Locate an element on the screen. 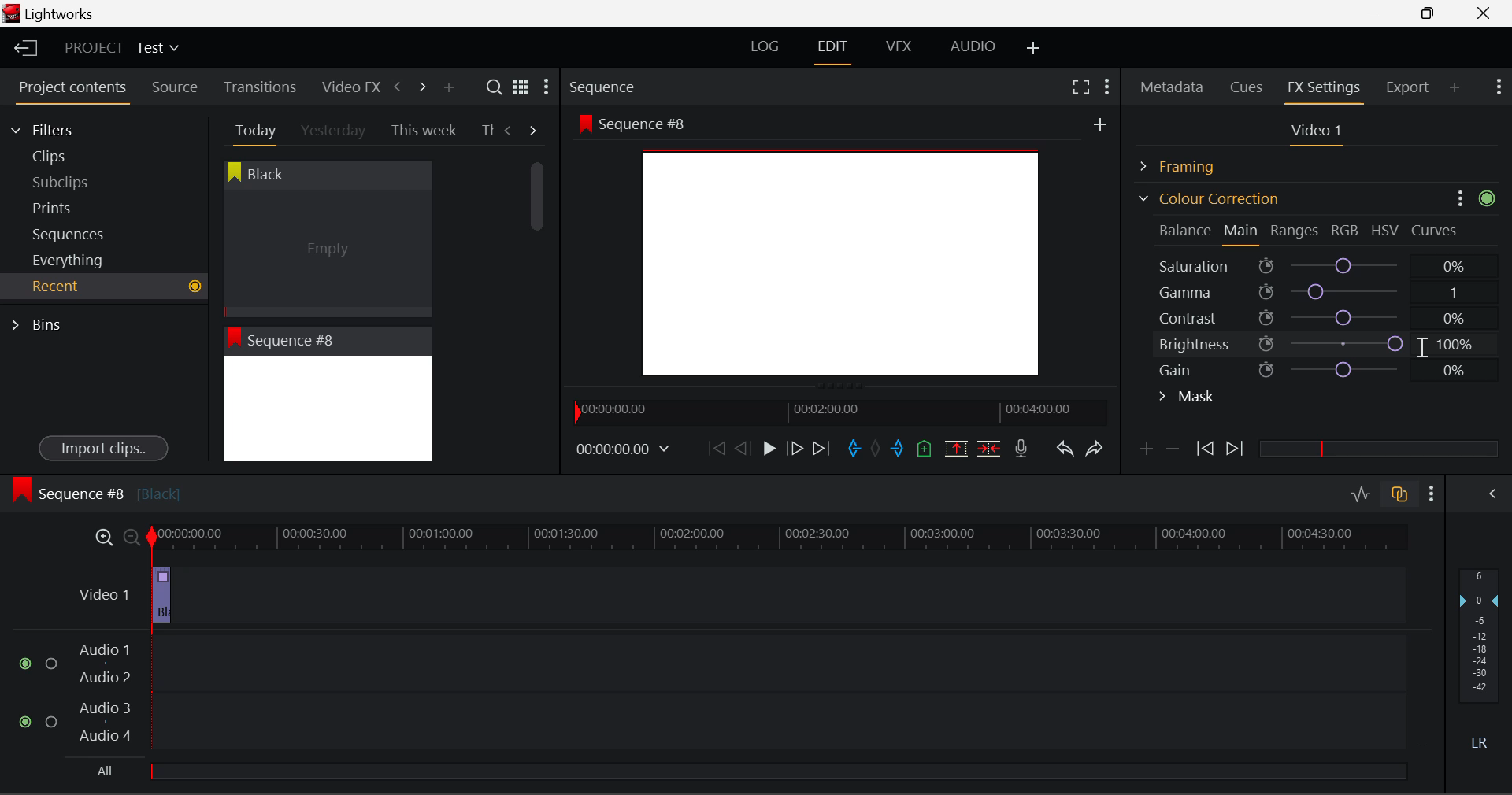 The width and height of the screenshot is (1512, 795). Timeline Zoom Out is located at coordinates (131, 537).